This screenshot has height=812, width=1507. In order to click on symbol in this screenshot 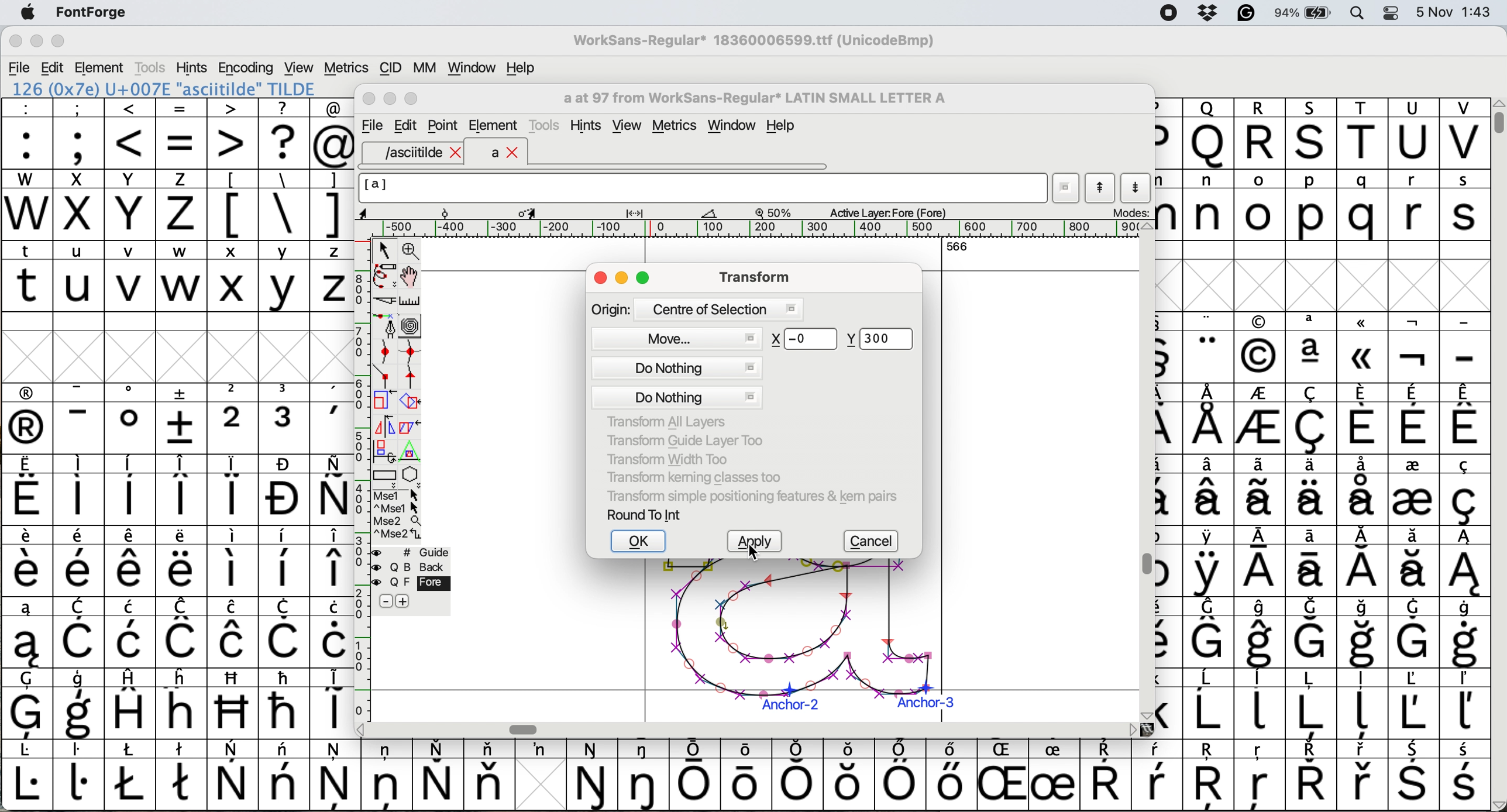, I will do `click(749, 773)`.